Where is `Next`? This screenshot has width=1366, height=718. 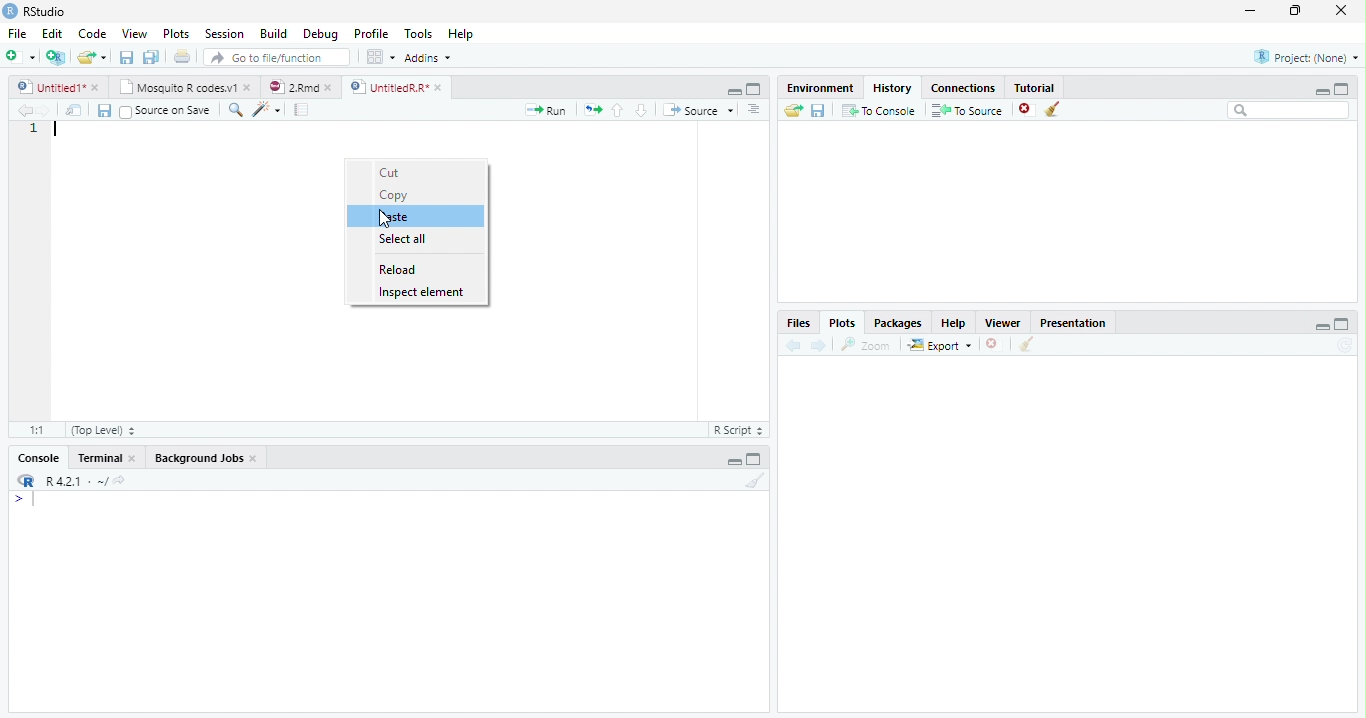
Next is located at coordinates (45, 110).